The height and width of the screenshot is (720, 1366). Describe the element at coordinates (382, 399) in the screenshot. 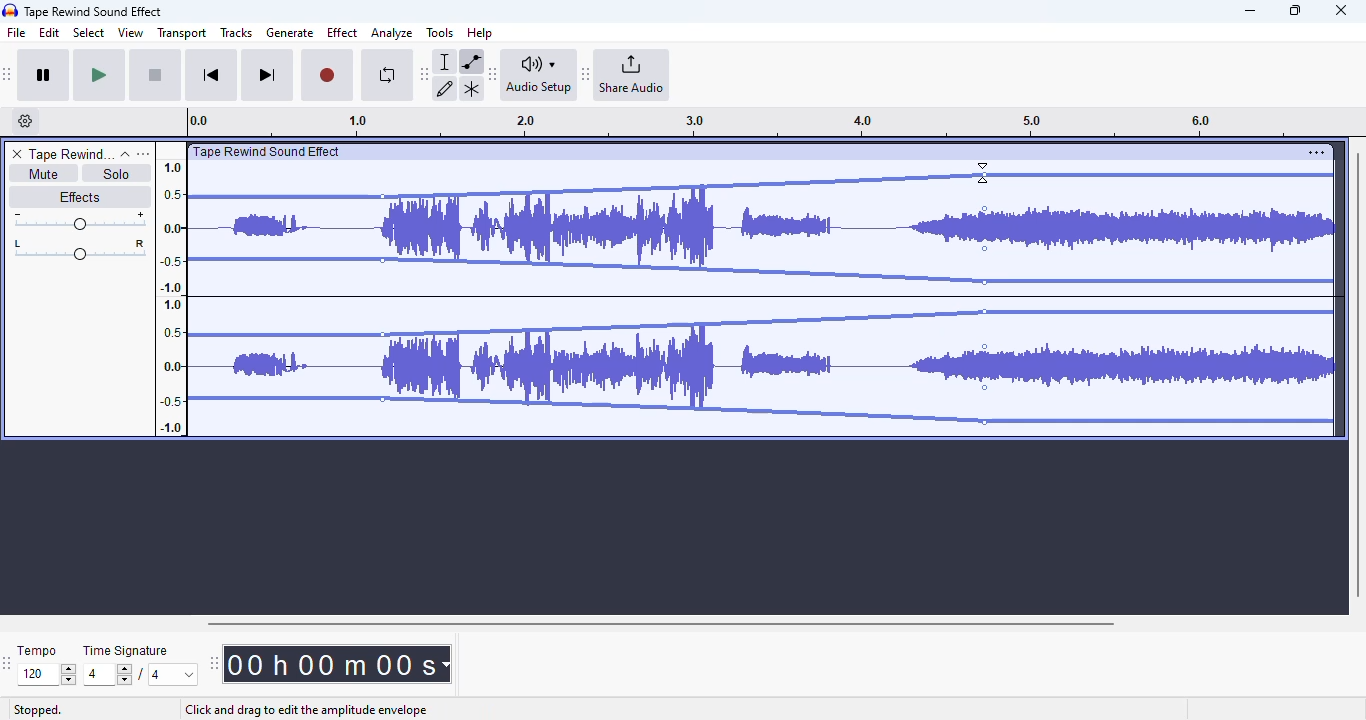

I see `control point` at that location.